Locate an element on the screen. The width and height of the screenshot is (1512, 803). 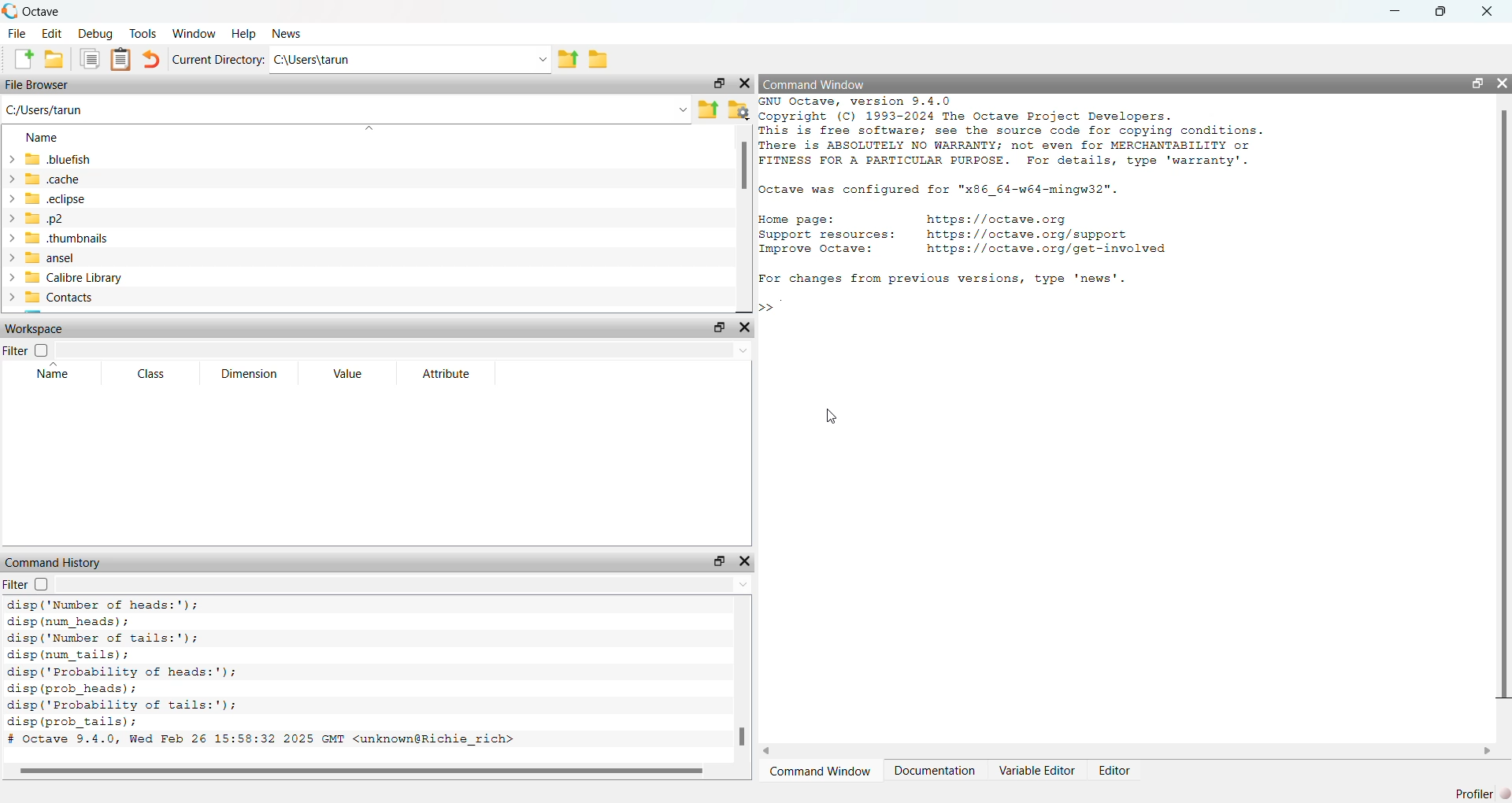
Undock Widget is located at coordinates (719, 327).